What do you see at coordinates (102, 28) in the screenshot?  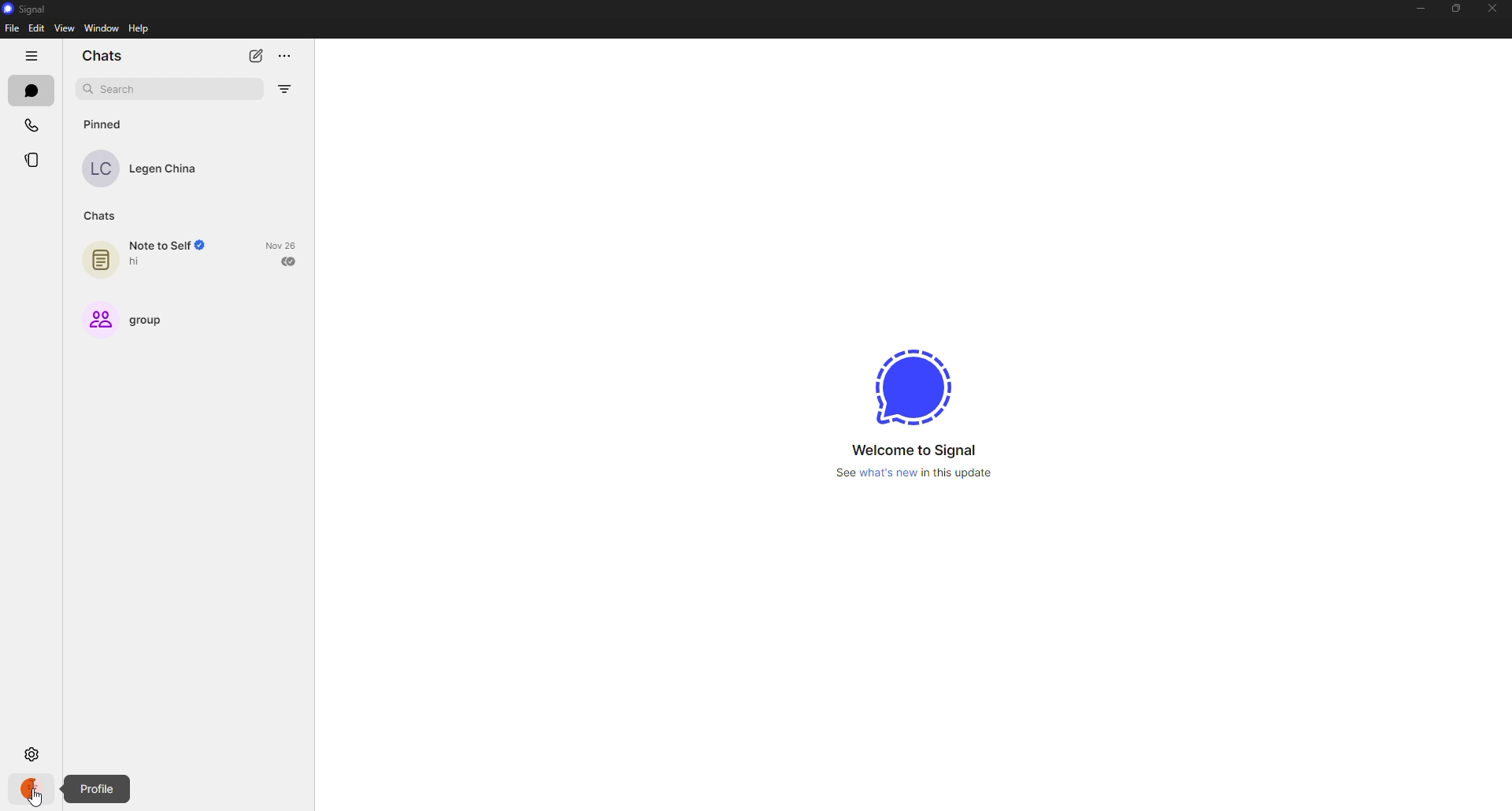 I see `window` at bounding box center [102, 28].